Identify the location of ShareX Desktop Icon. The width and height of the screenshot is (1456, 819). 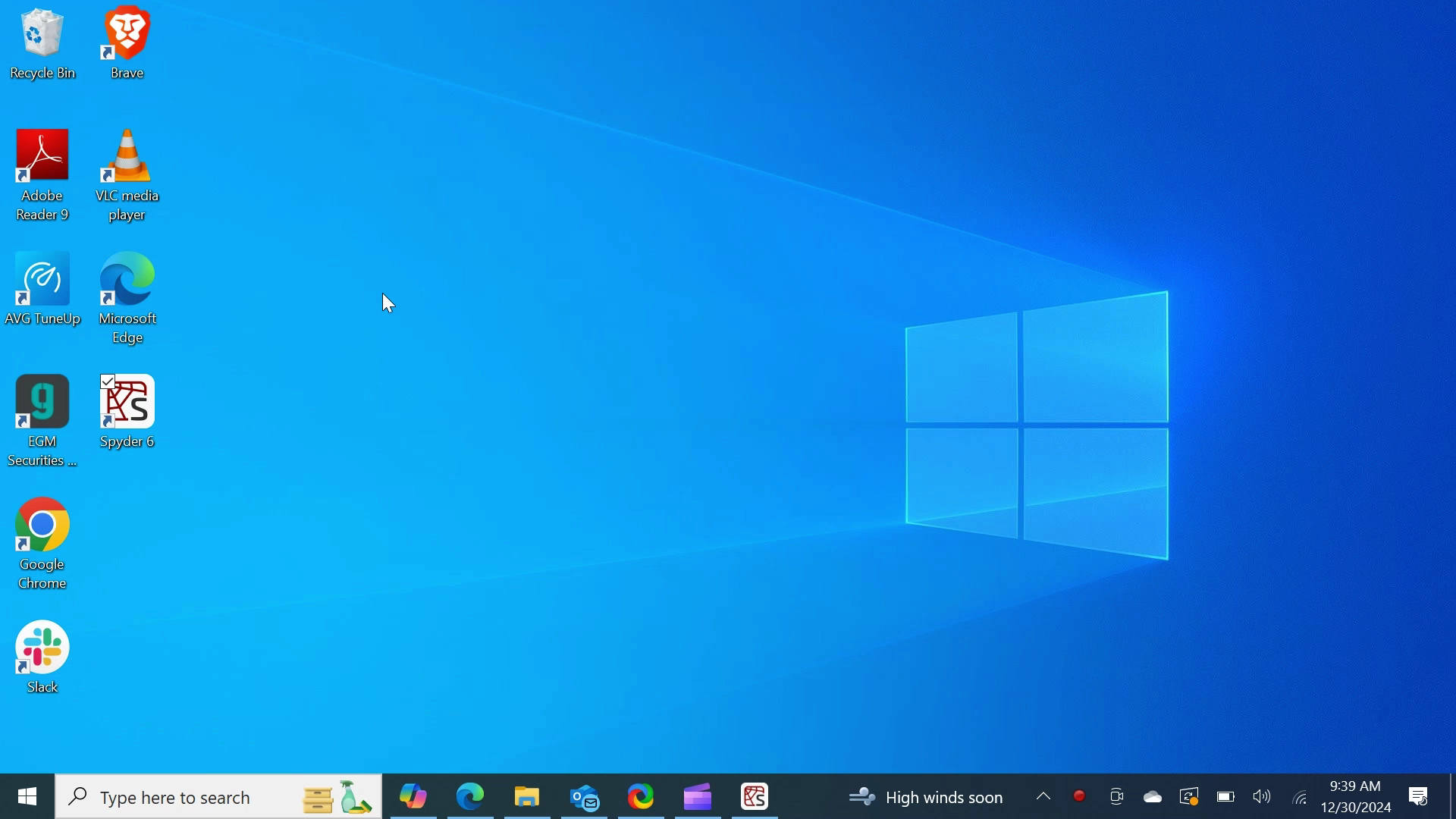
(640, 795).